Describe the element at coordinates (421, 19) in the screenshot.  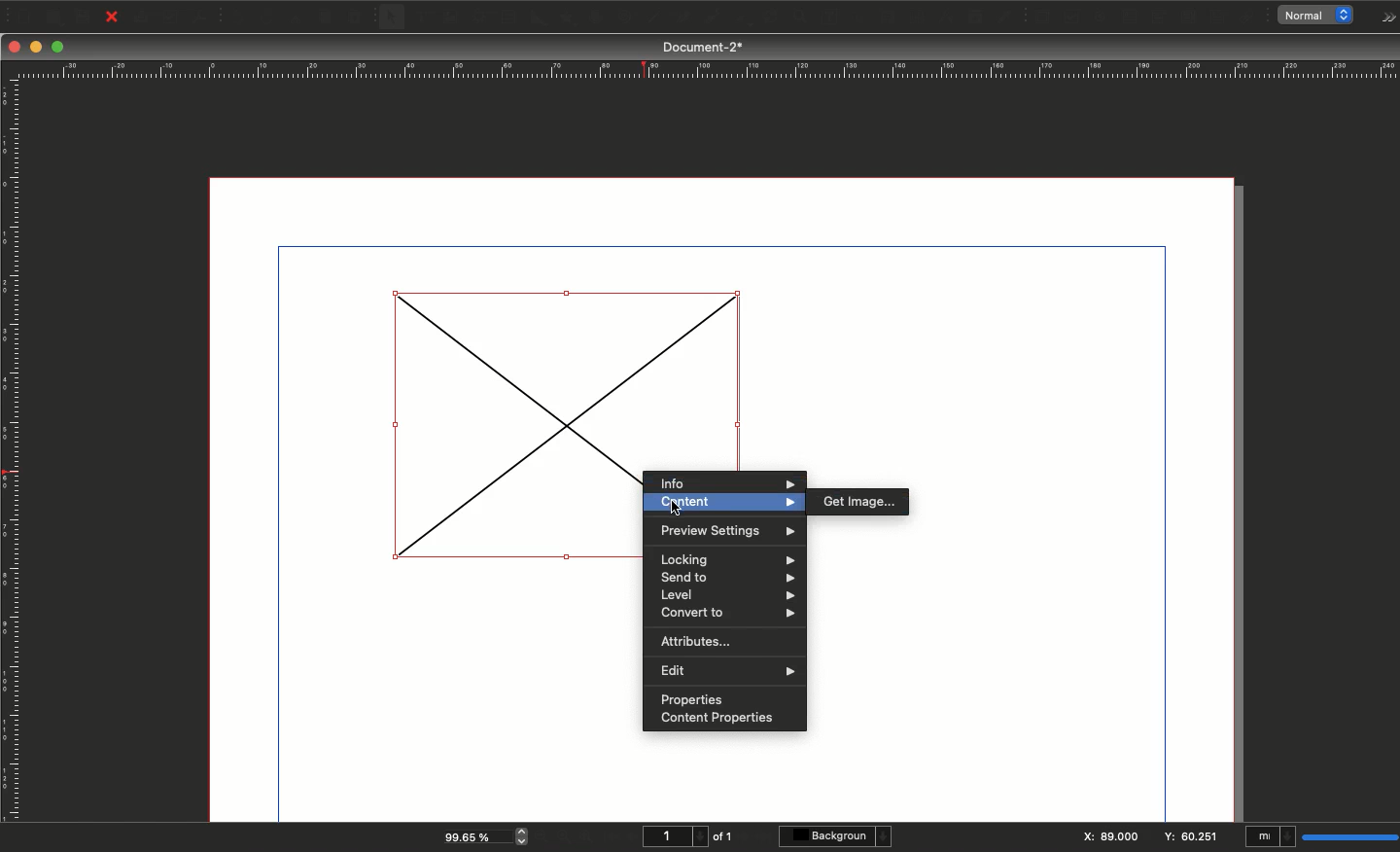
I see `Text frame` at that location.